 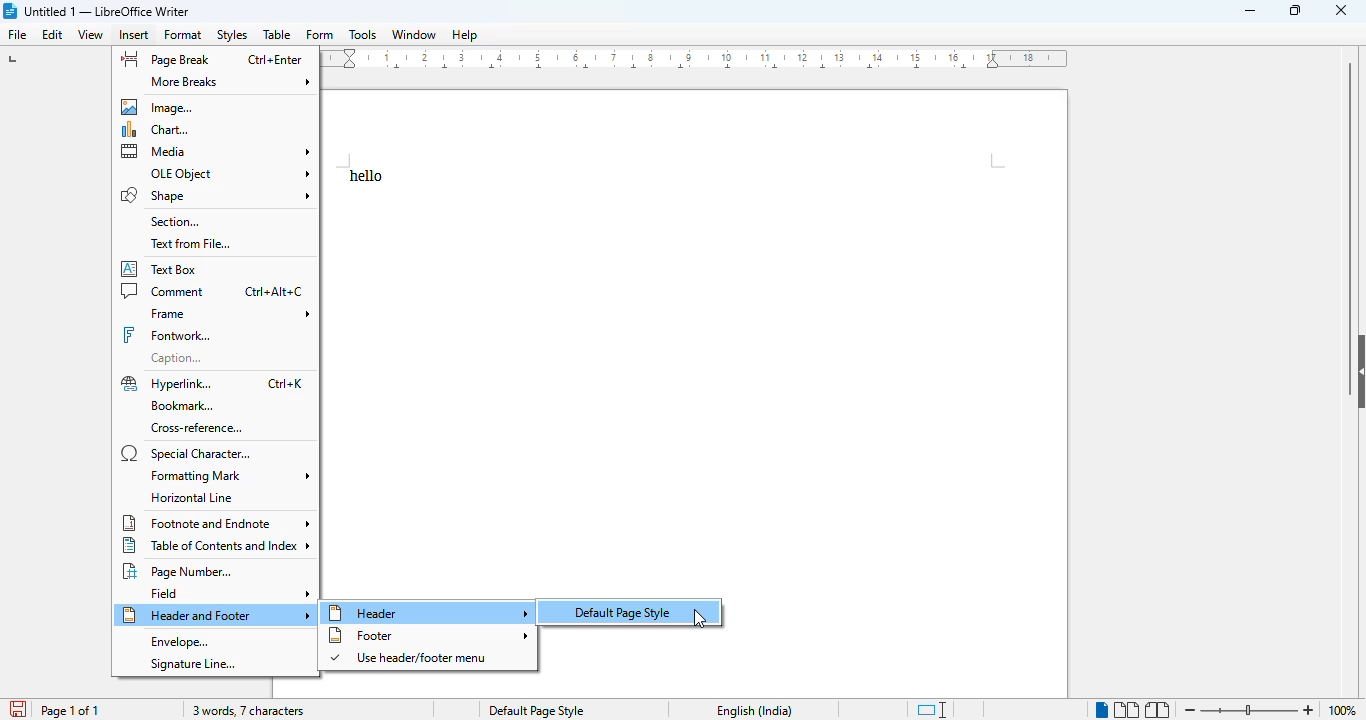 I want to click on table, so click(x=277, y=34).